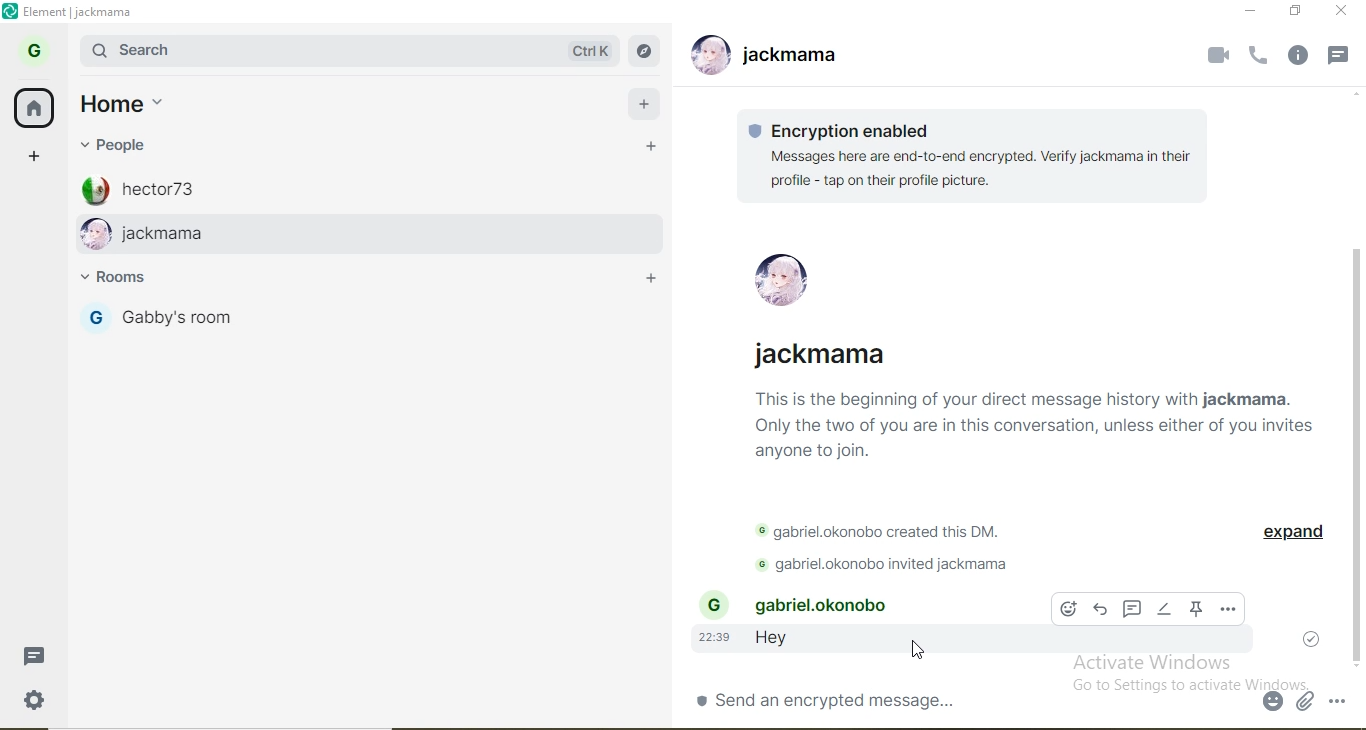 The width and height of the screenshot is (1366, 730). Describe the element at coordinates (34, 110) in the screenshot. I see `home` at that location.